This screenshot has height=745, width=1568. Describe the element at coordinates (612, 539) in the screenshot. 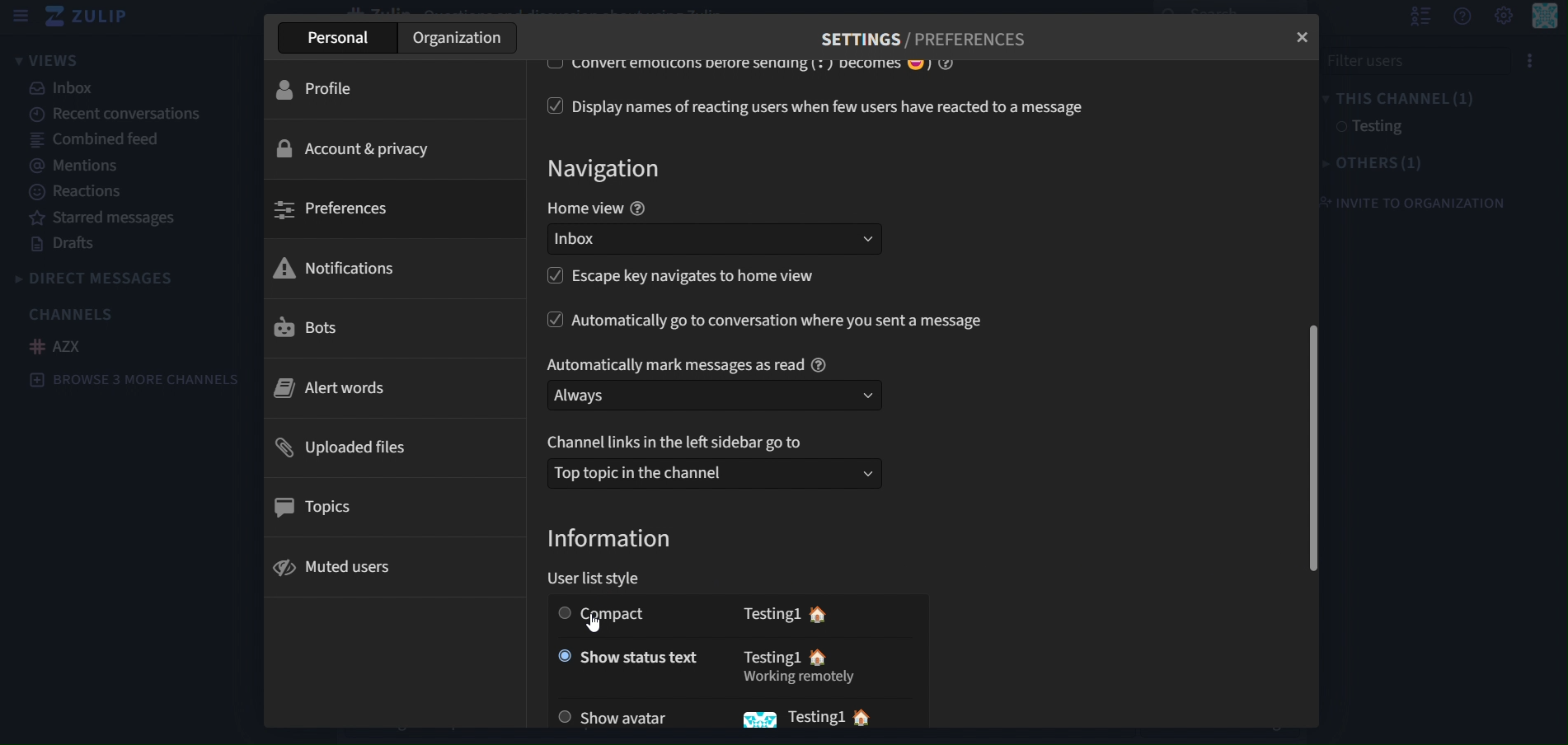

I see `information` at that location.